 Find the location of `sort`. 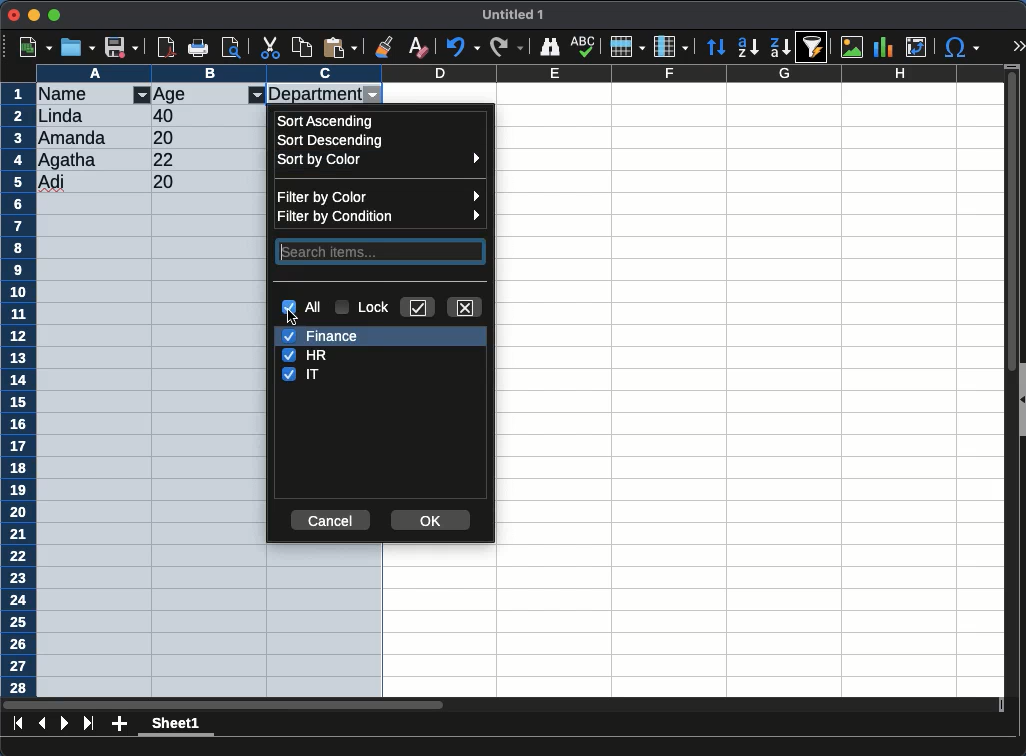

sort is located at coordinates (816, 47).